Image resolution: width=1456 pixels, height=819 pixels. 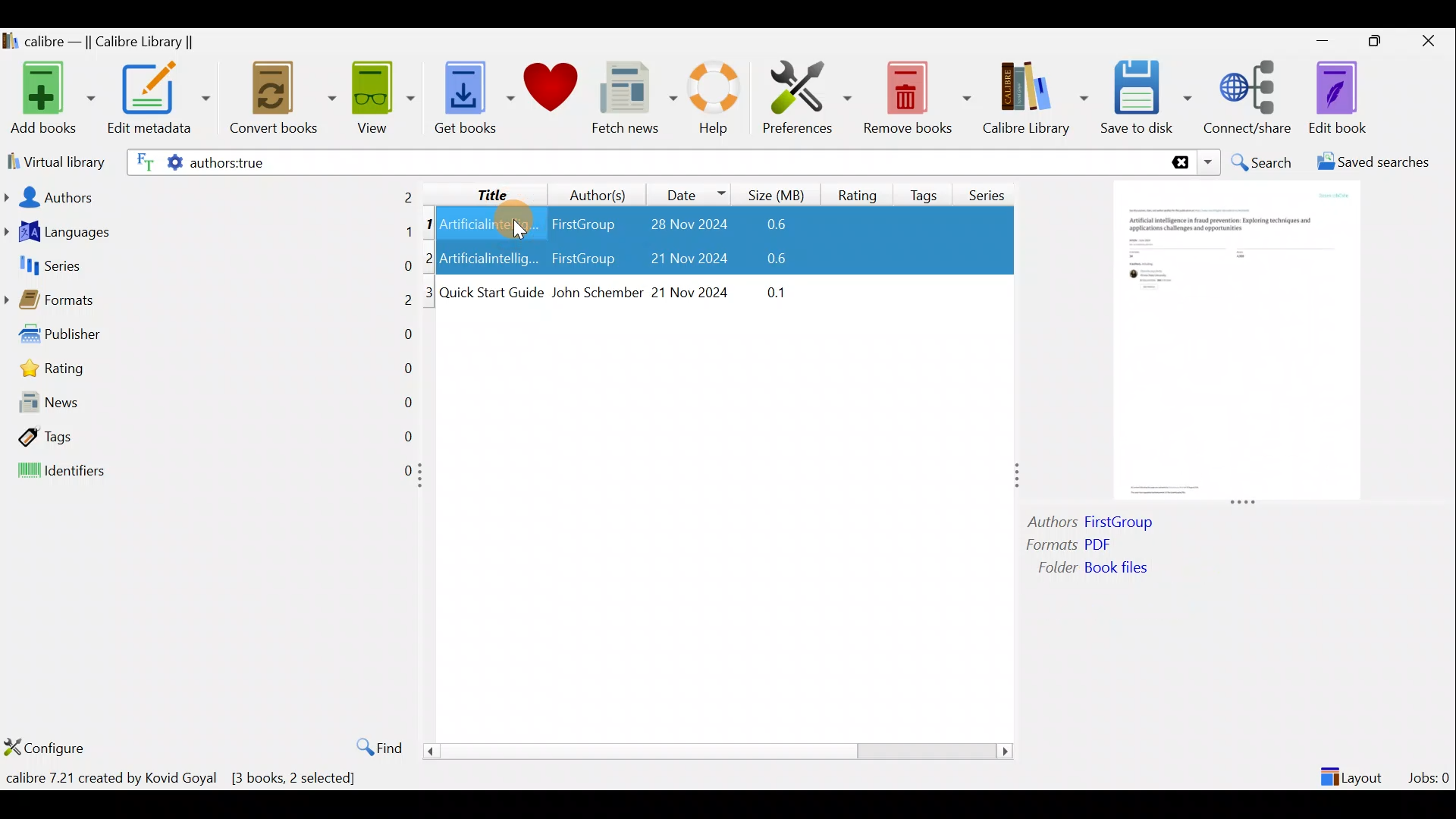 I want to click on Formats: PDF, so click(x=1090, y=547).